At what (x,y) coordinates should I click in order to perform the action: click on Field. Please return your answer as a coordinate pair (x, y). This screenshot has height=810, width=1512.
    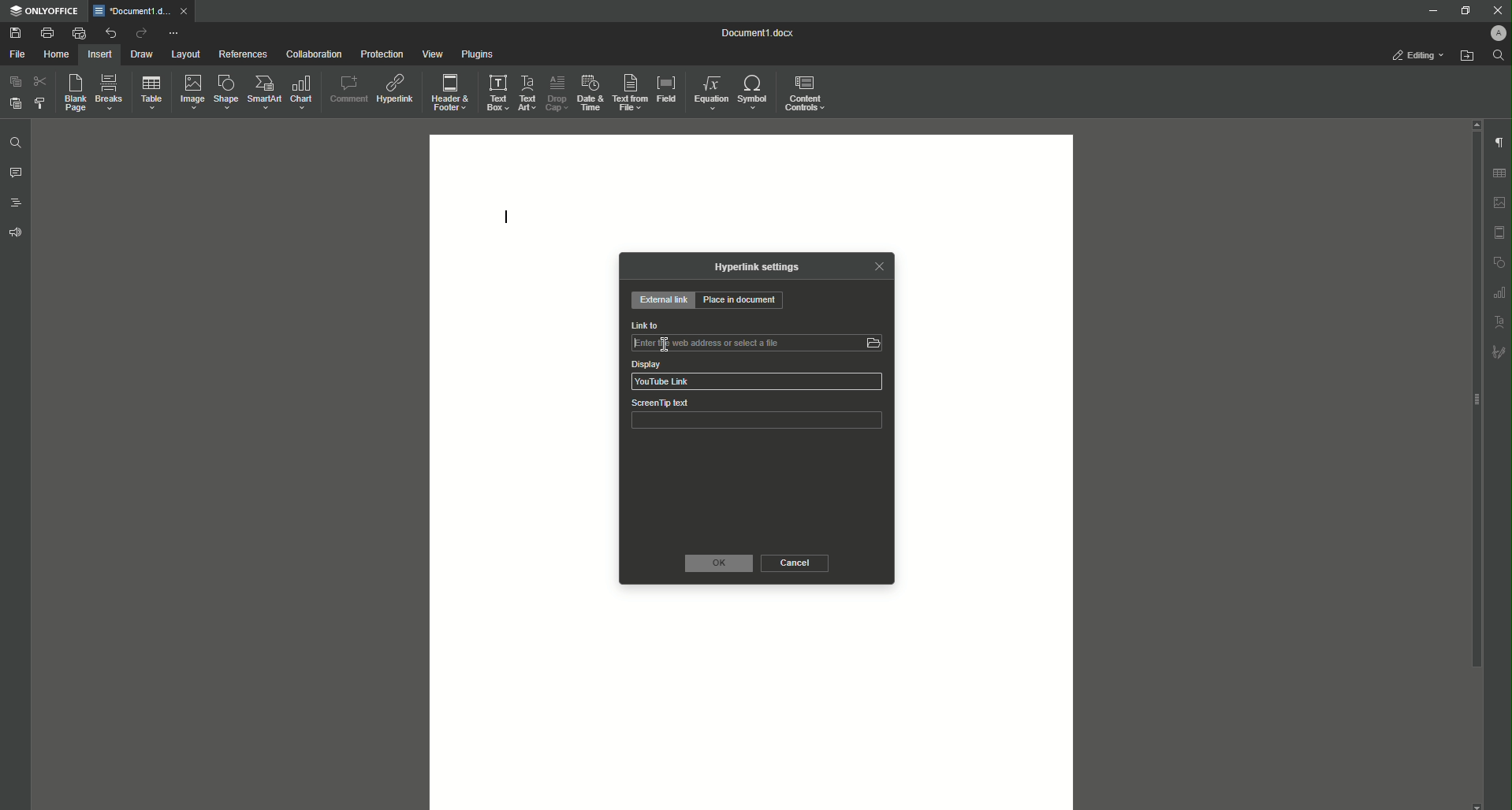
    Looking at the image, I should click on (667, 89).